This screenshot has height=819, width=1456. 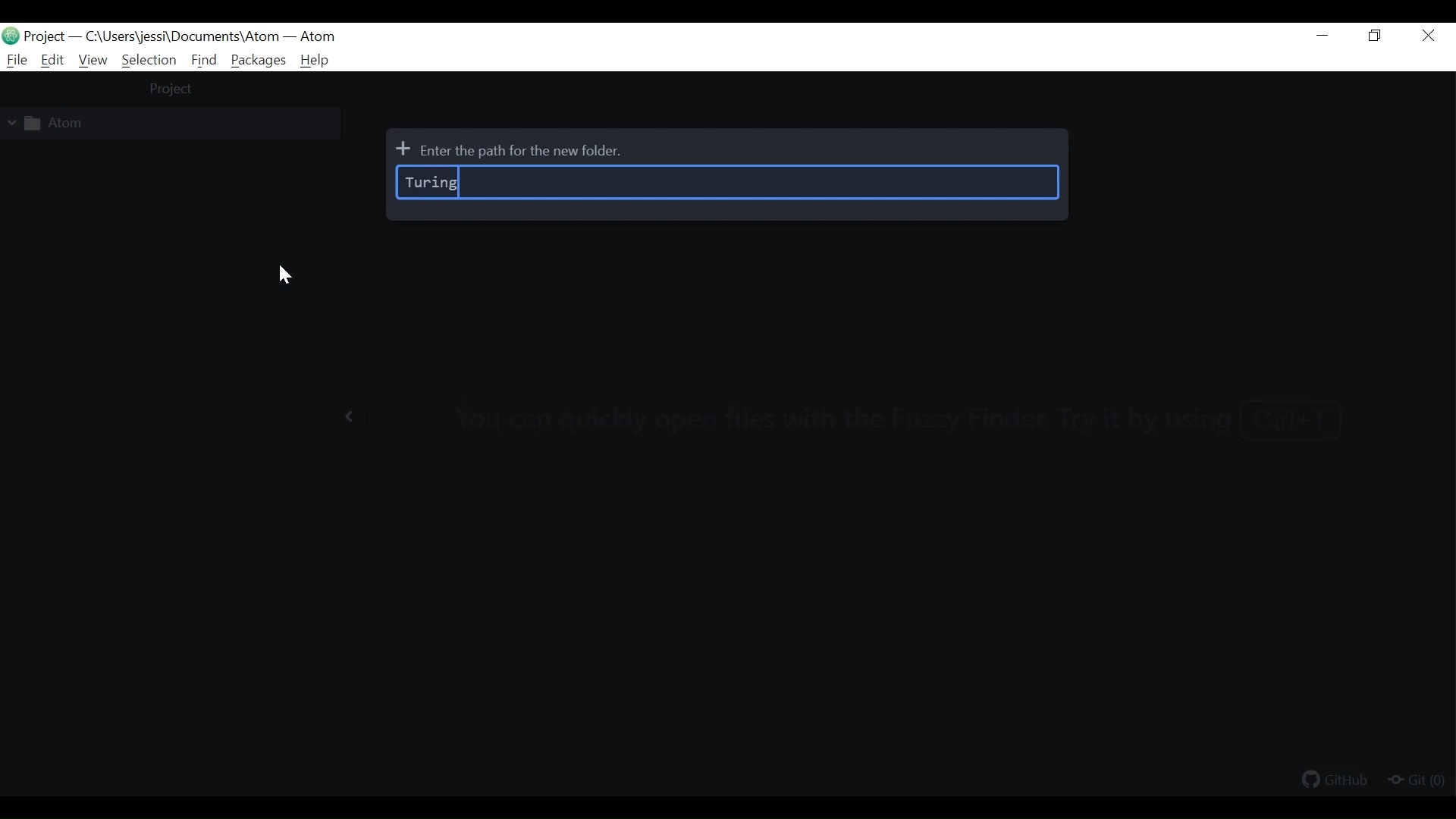 What do you see at coordinates (1336, 782) in the screenshot?
I see `Github` at bounding box center [1336, 782].